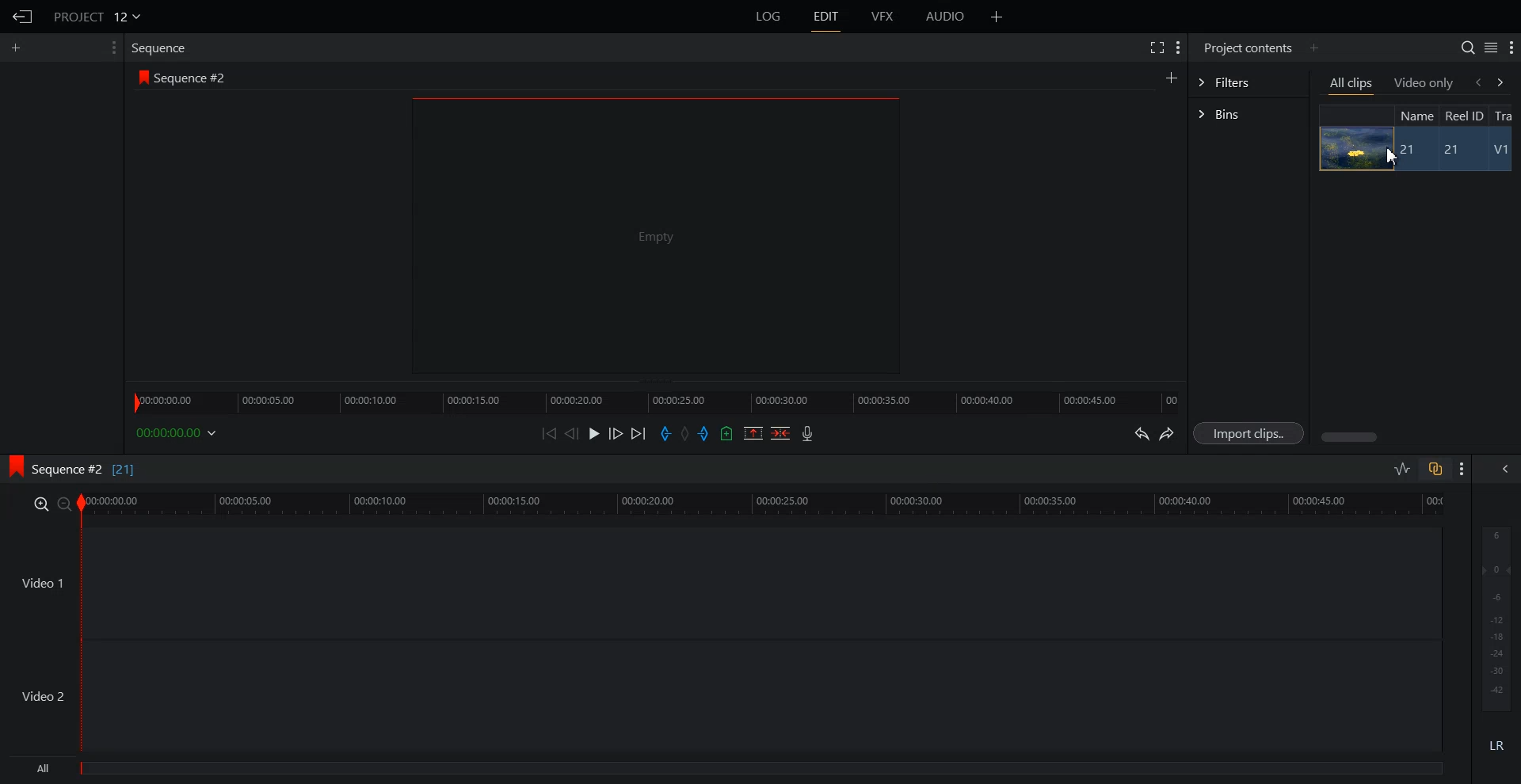 Image resolution: width=1521 pixels, height=784 pixels. What do you see at coordinates (1511, 48) in the screenshot?
I see `Show setting menu` at bounding box center [1511, 48].